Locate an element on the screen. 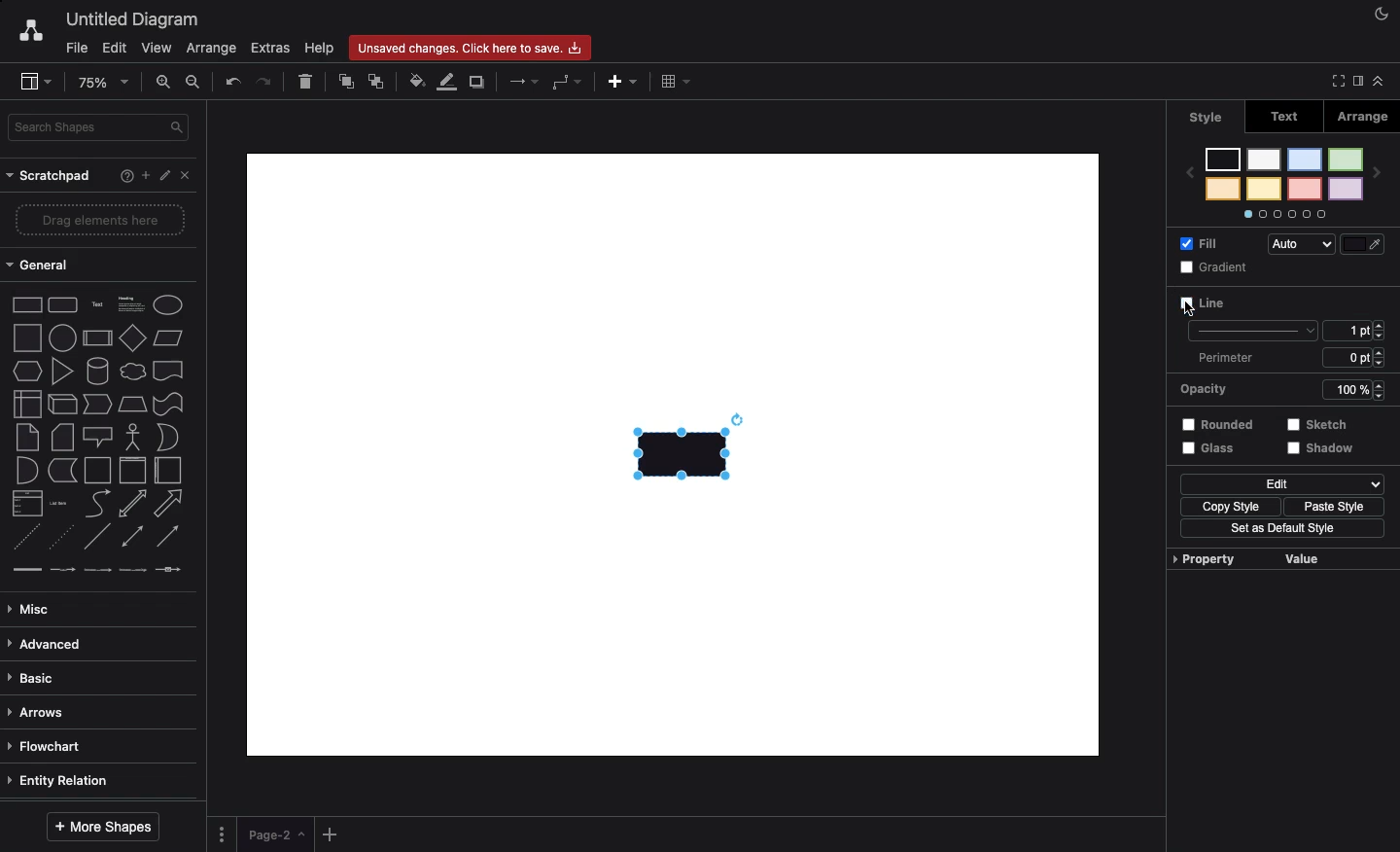 The image size is (1400, 852). Text is located at coordinates (98, 305).